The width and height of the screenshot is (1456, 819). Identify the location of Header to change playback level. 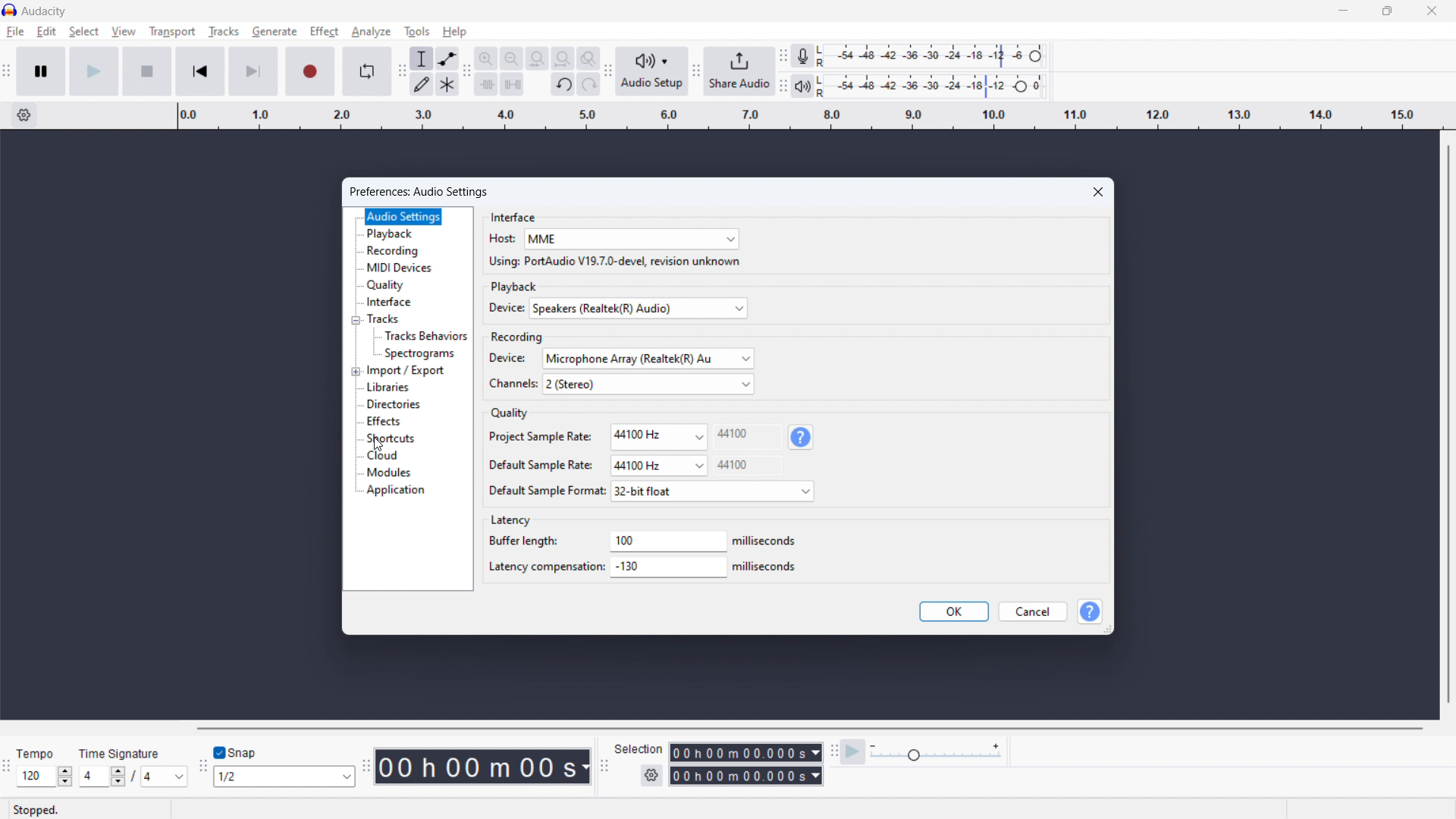
(1021, 86).